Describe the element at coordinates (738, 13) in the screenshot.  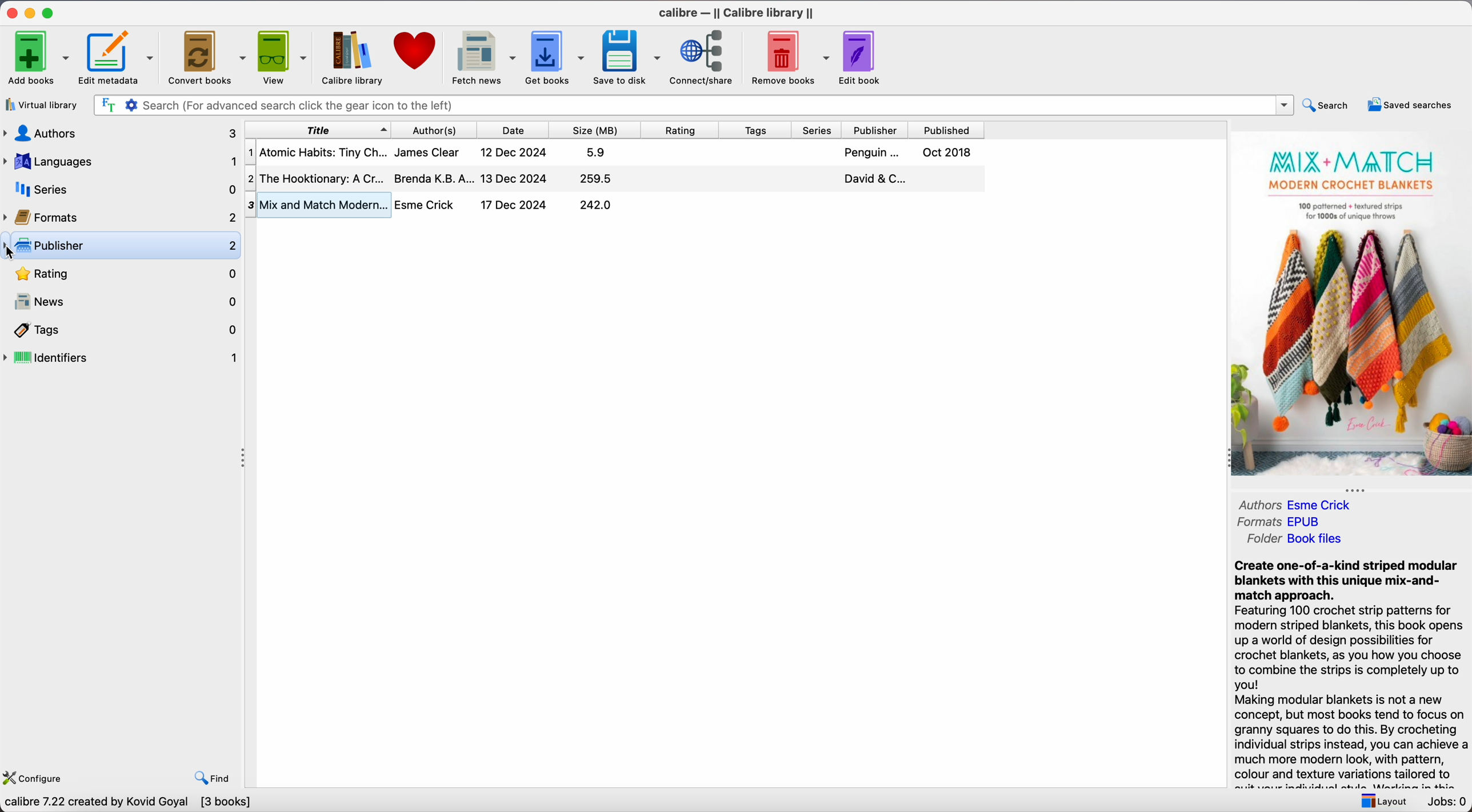
I see `Calibre` at that location.